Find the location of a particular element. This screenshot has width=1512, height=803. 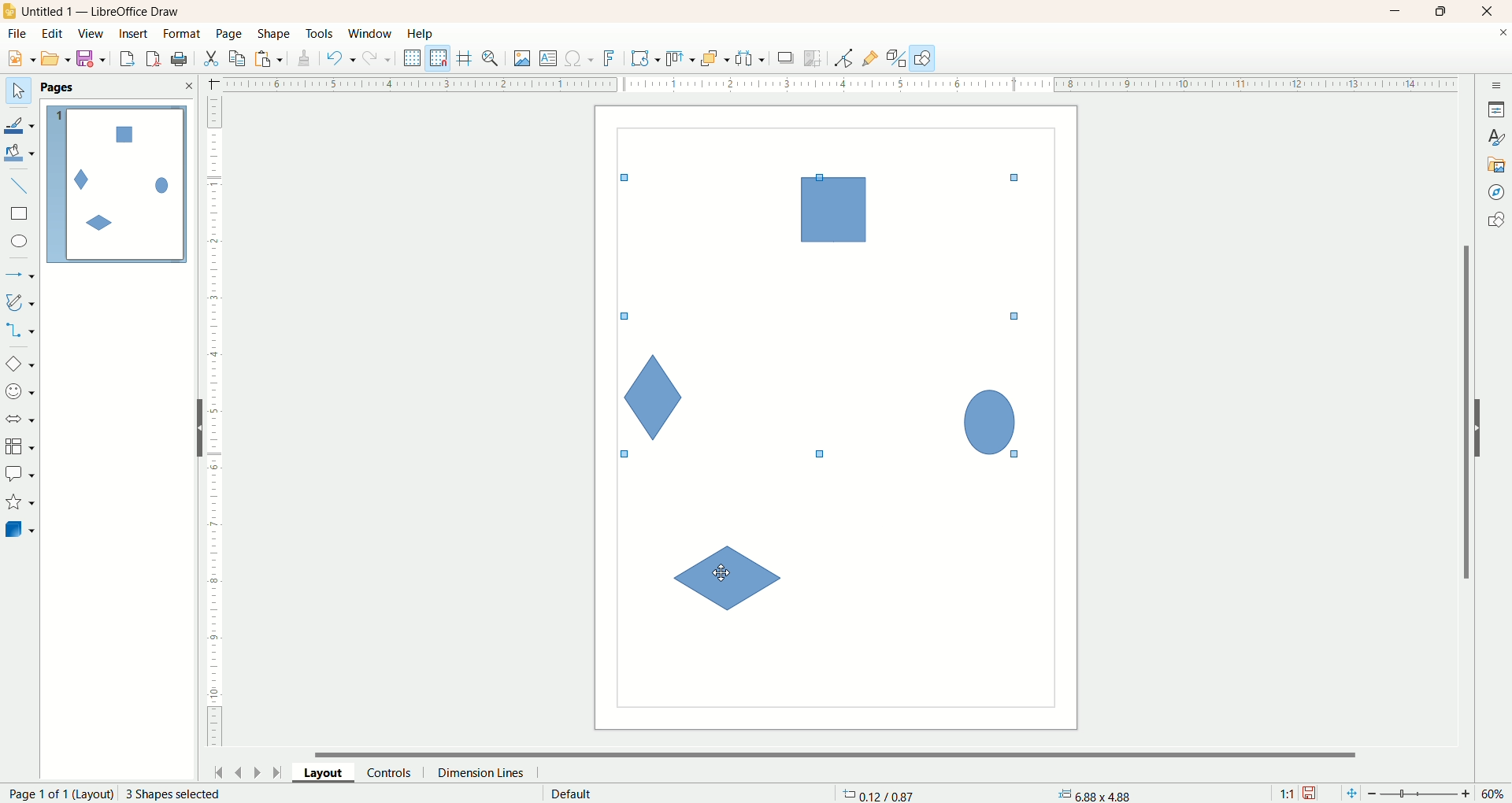

helplines is located at coordinates (467, 58).